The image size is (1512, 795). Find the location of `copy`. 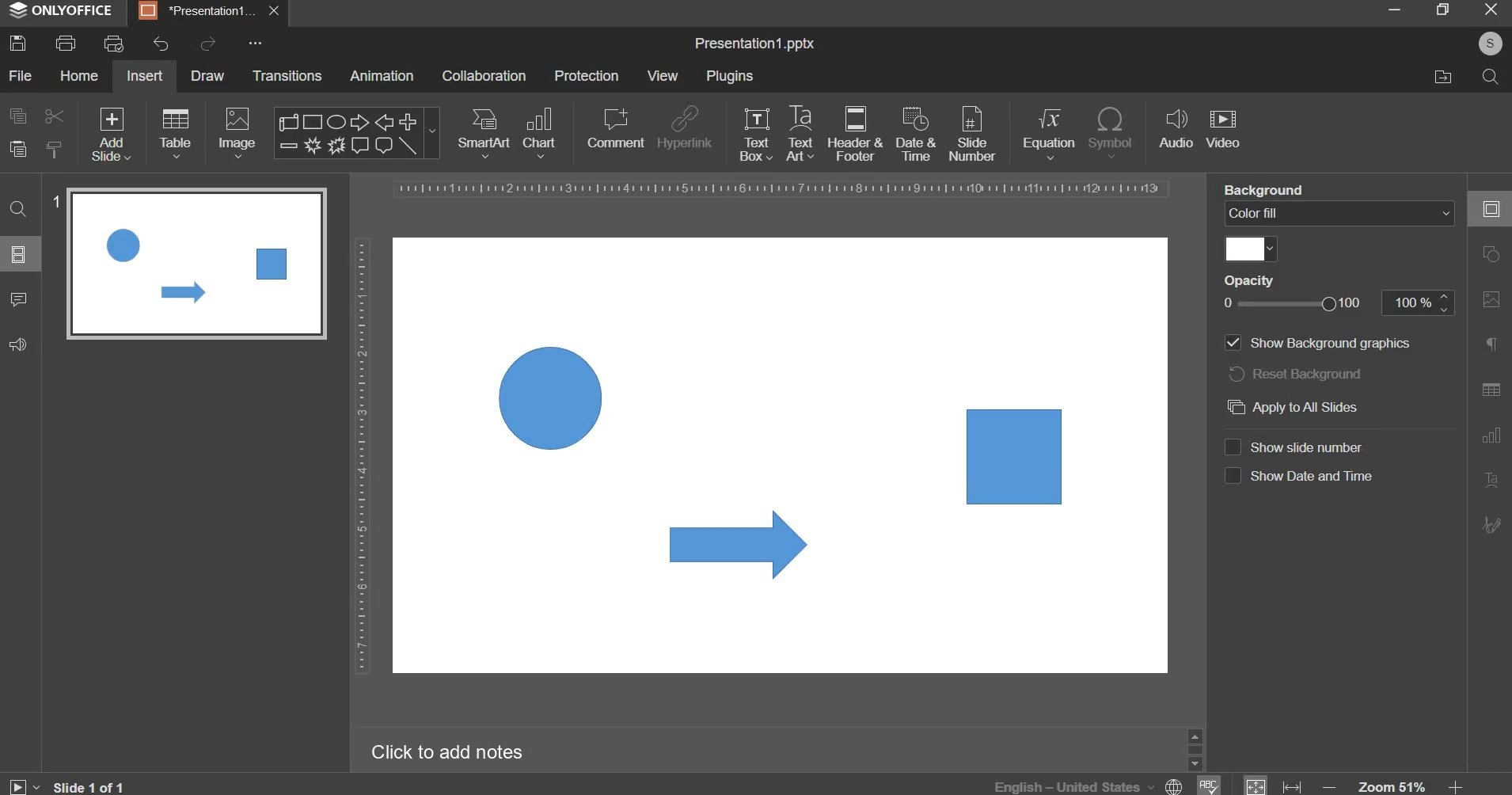

copy is located at coordinates (18, 116).